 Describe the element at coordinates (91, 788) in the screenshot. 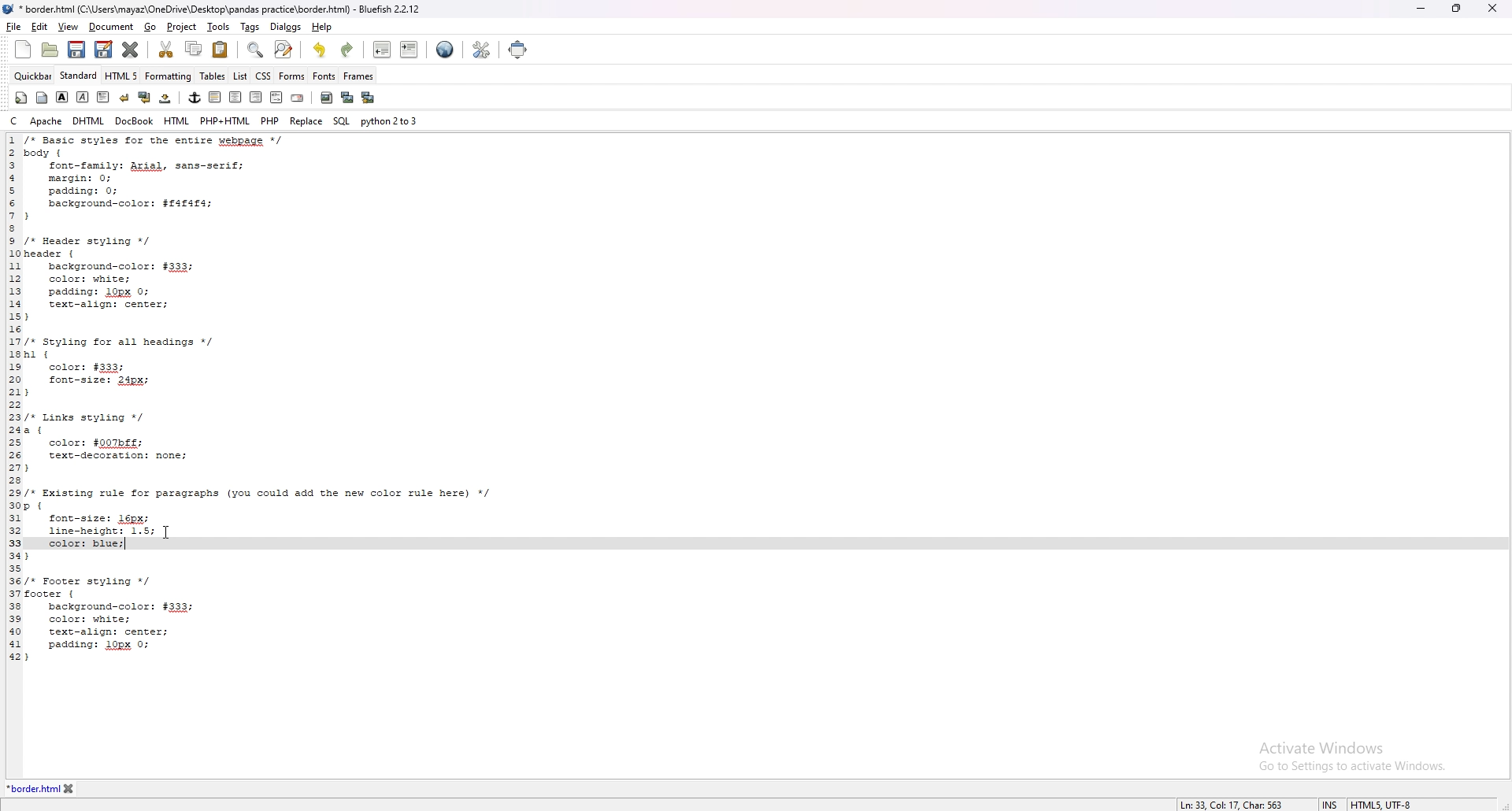

I see `close tab` at that location.